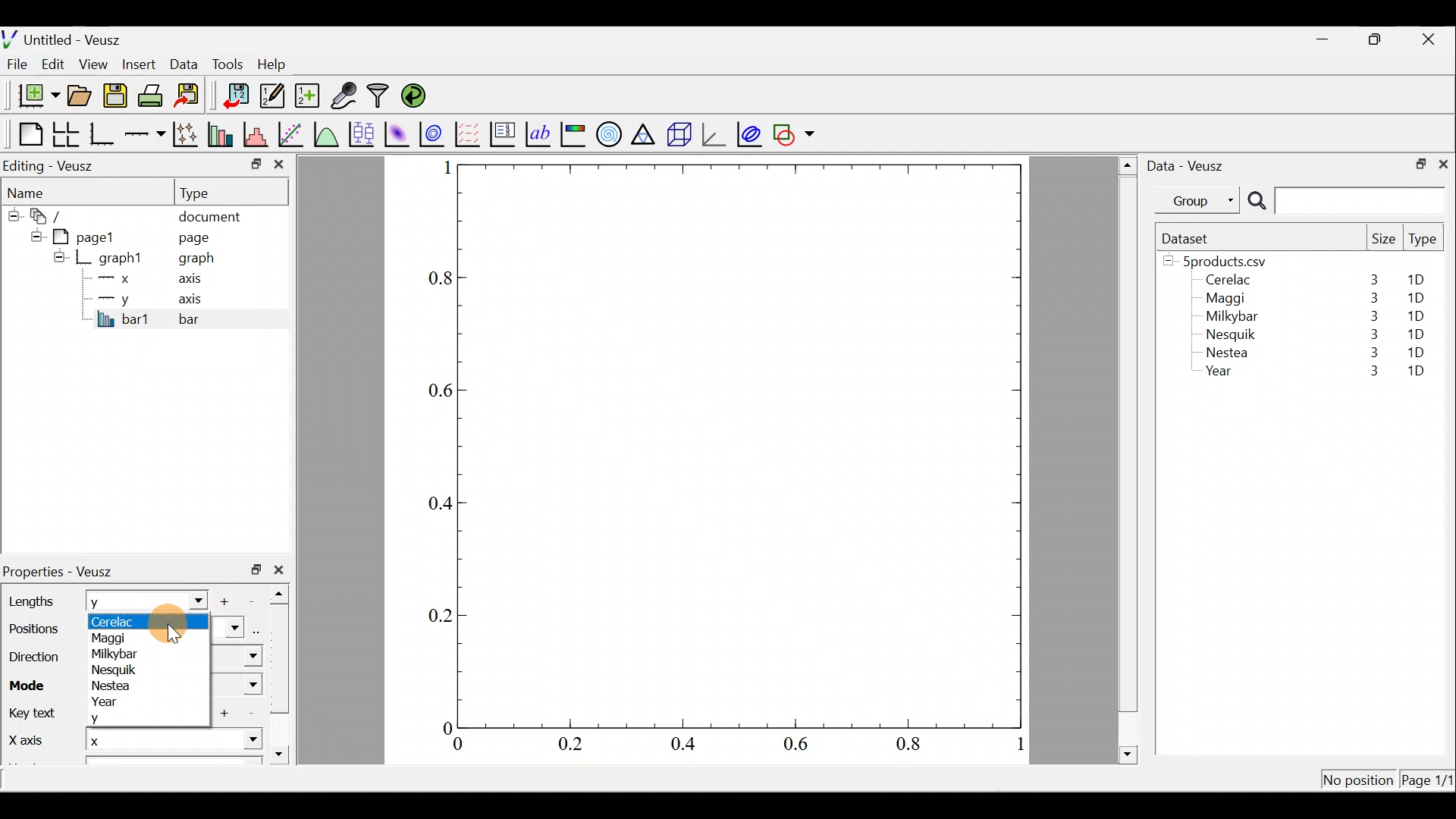  I want to click on 0, so click(458, 746).